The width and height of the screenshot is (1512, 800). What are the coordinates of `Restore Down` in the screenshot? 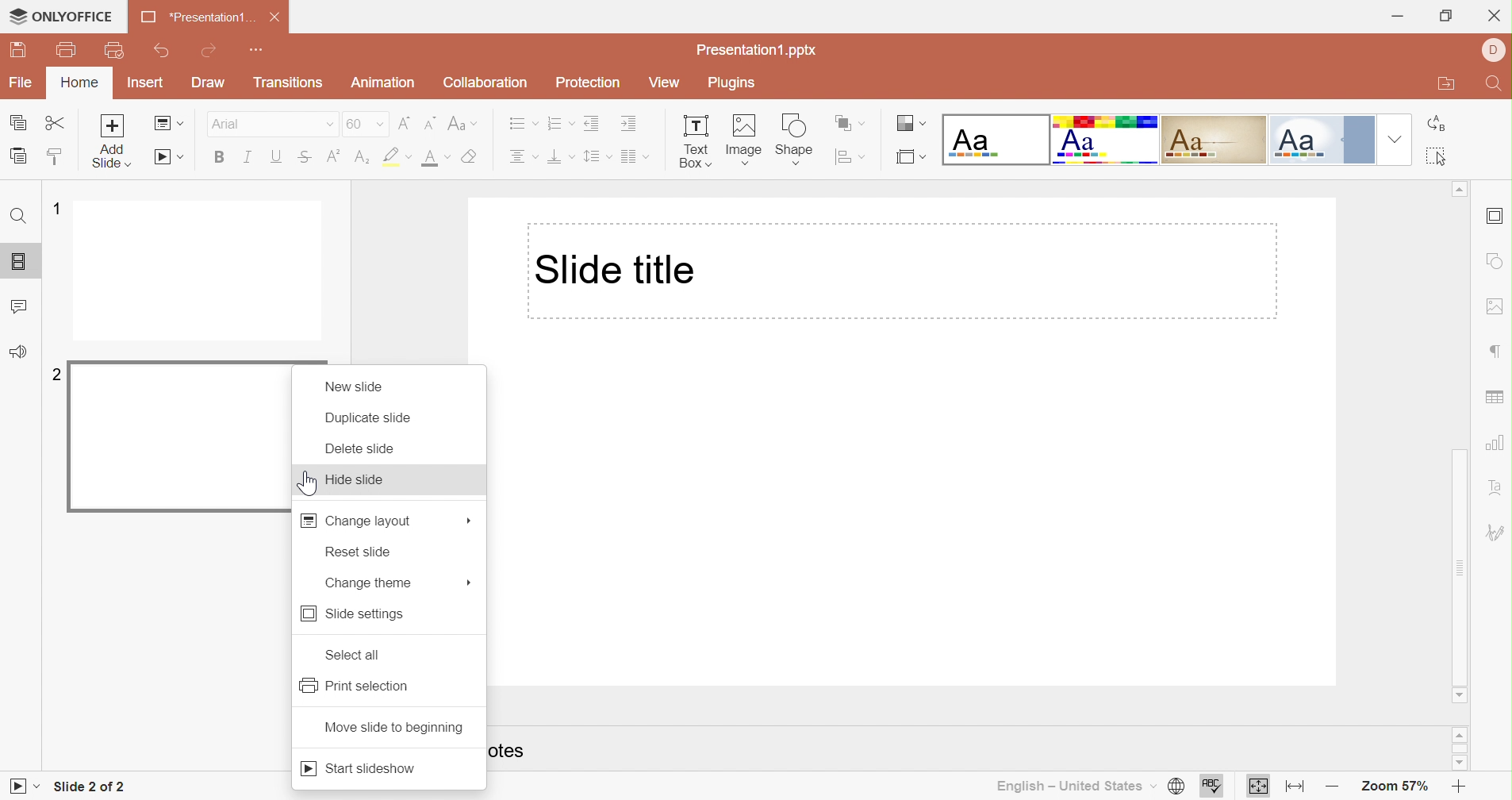 It's located at (1446, 18).